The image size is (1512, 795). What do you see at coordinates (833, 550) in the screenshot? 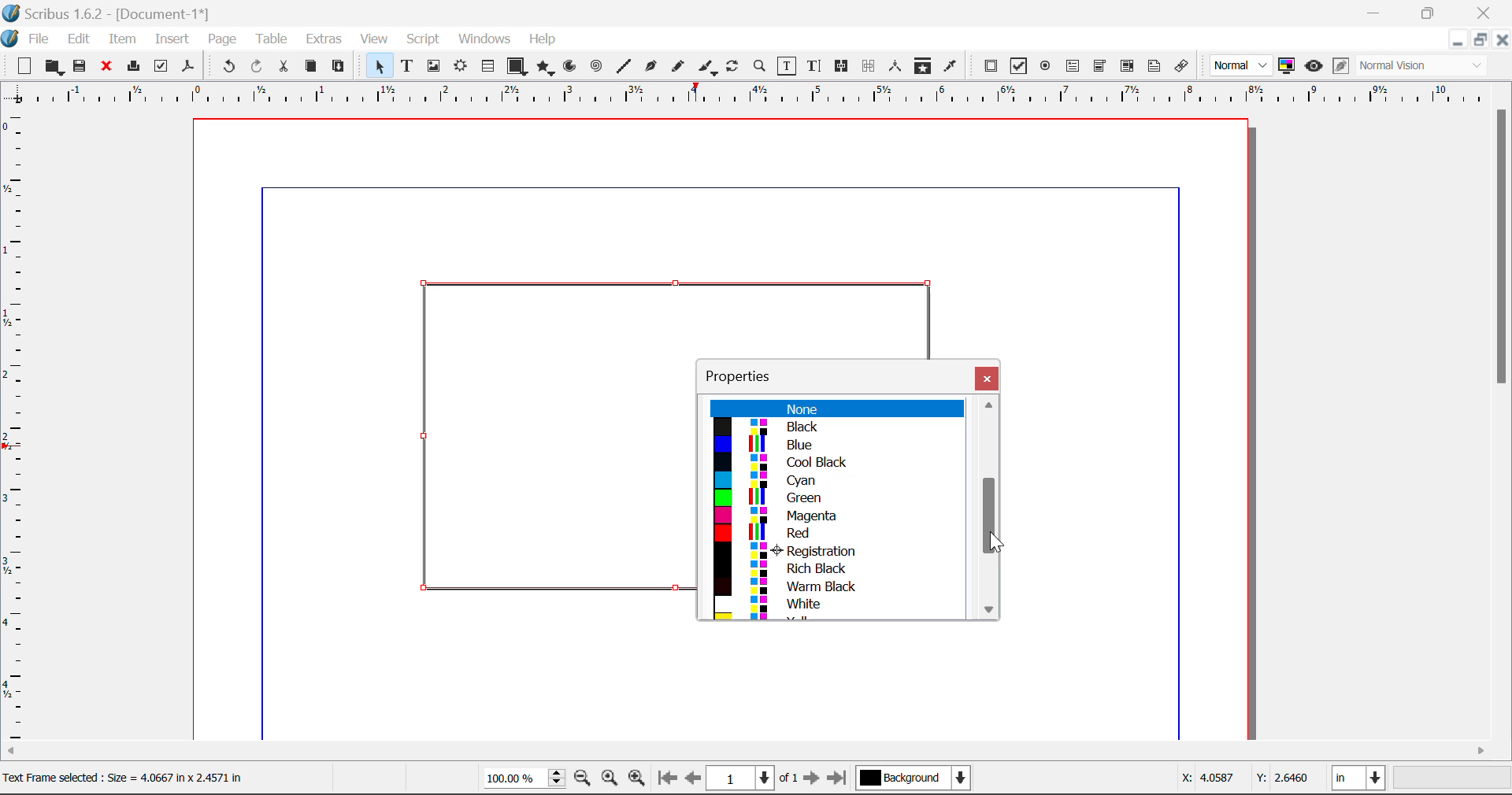
I see `Registration` at bounding box center [833, 550].